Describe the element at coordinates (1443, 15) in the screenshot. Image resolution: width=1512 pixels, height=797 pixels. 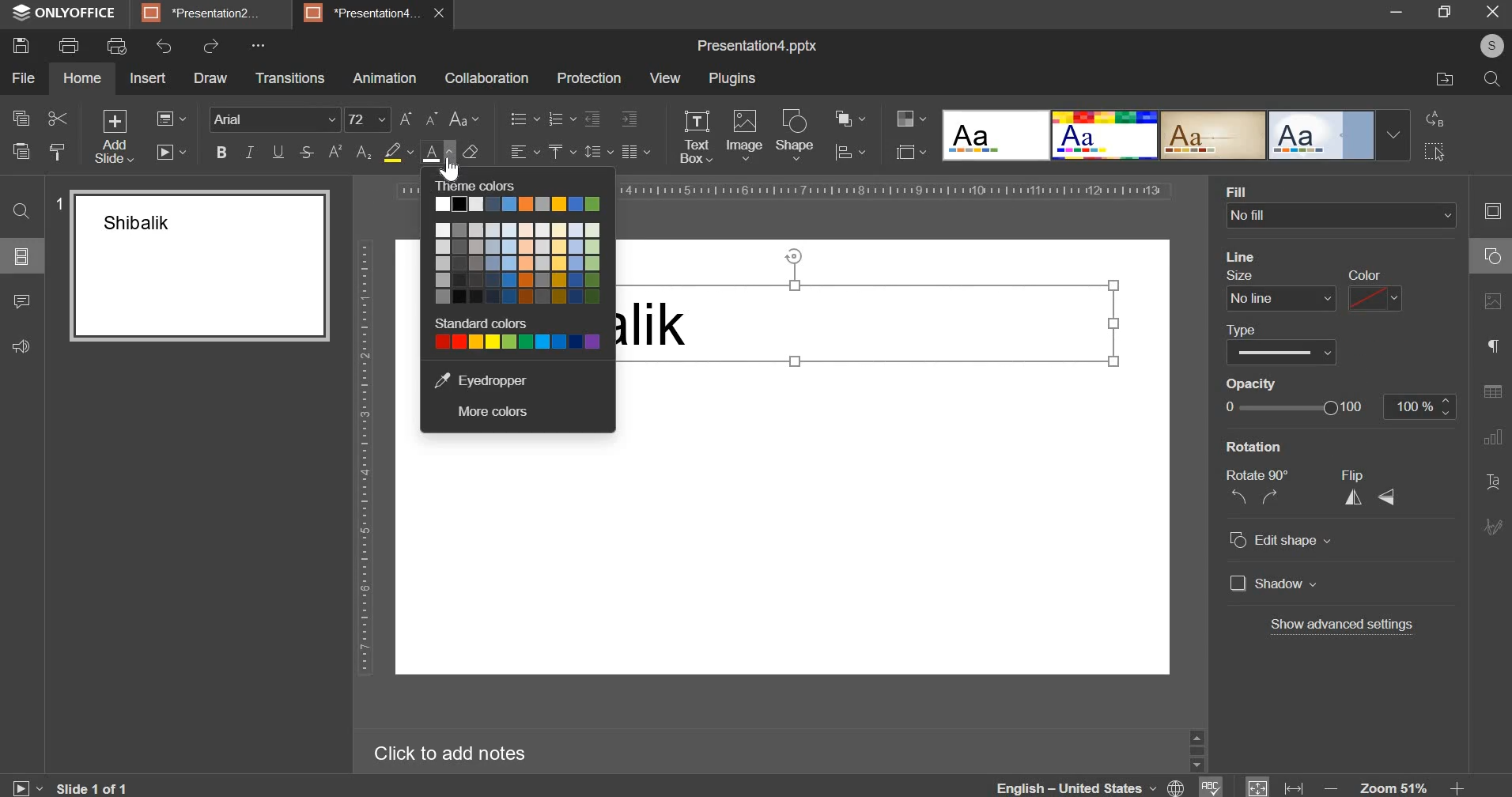
I see `Minimise` at that location.